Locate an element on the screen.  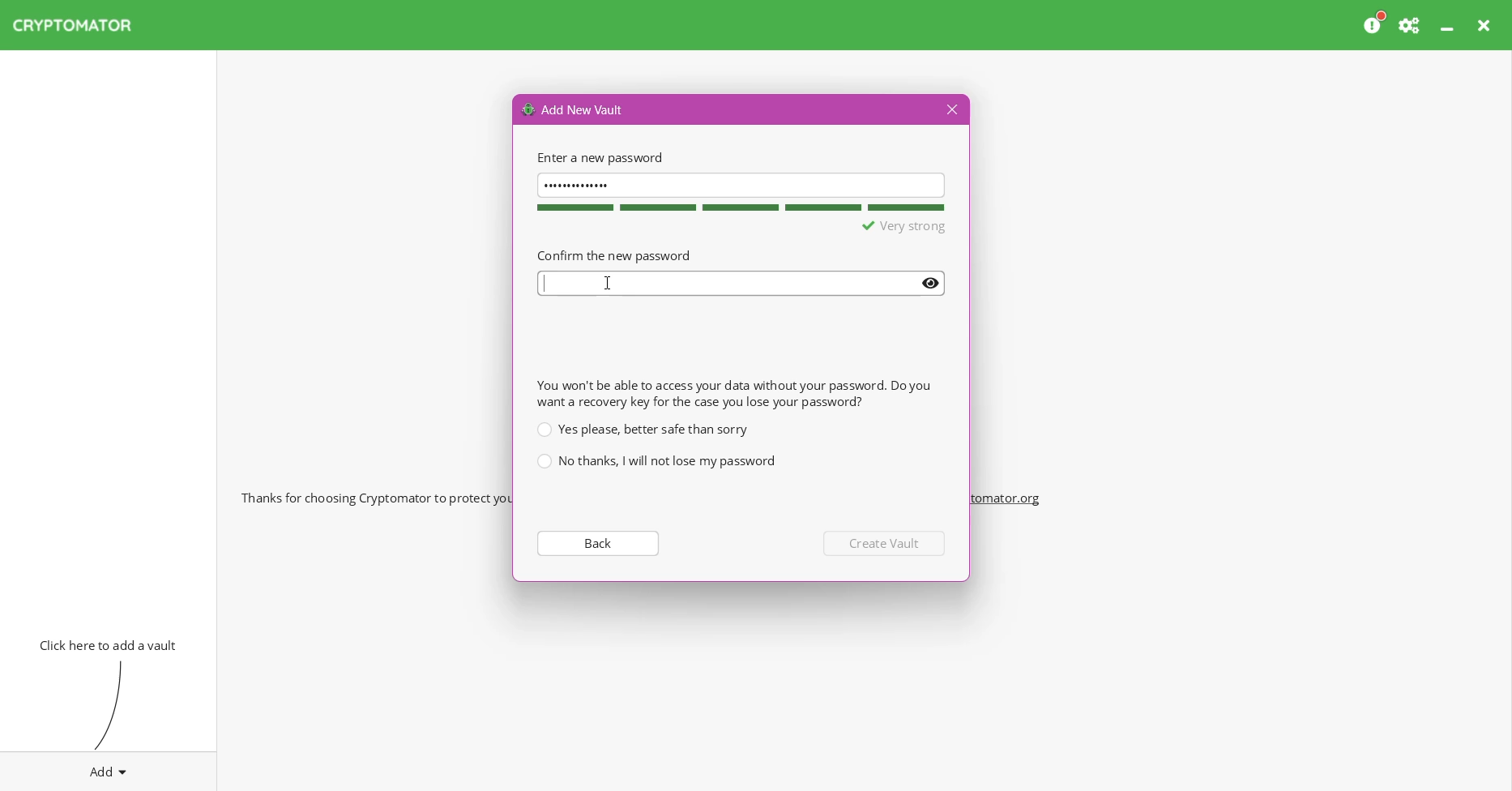
Close is located at coordinates (950, 110).